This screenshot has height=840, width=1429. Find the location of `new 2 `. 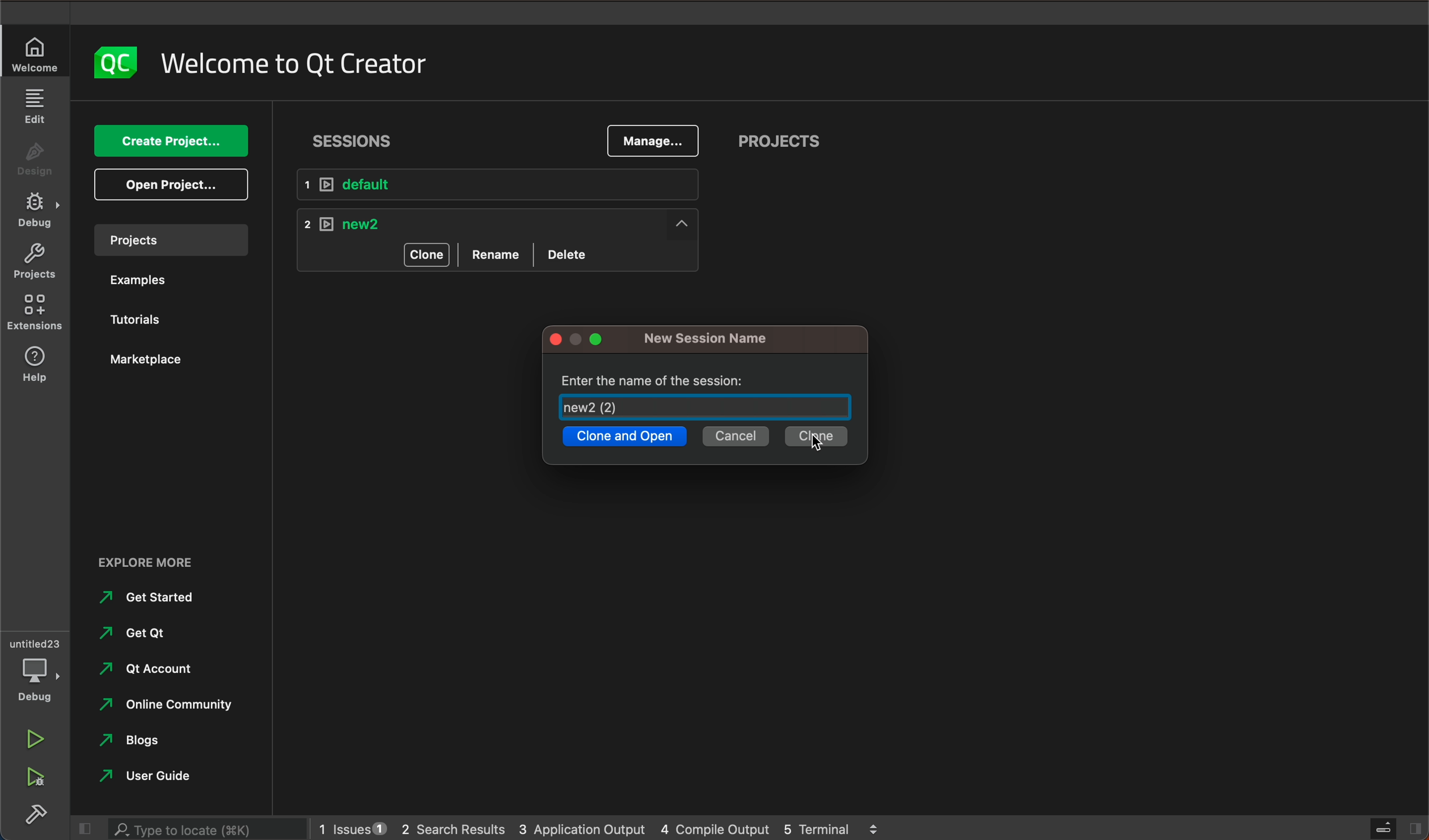

new 2  is located at coordinates (495, 221).